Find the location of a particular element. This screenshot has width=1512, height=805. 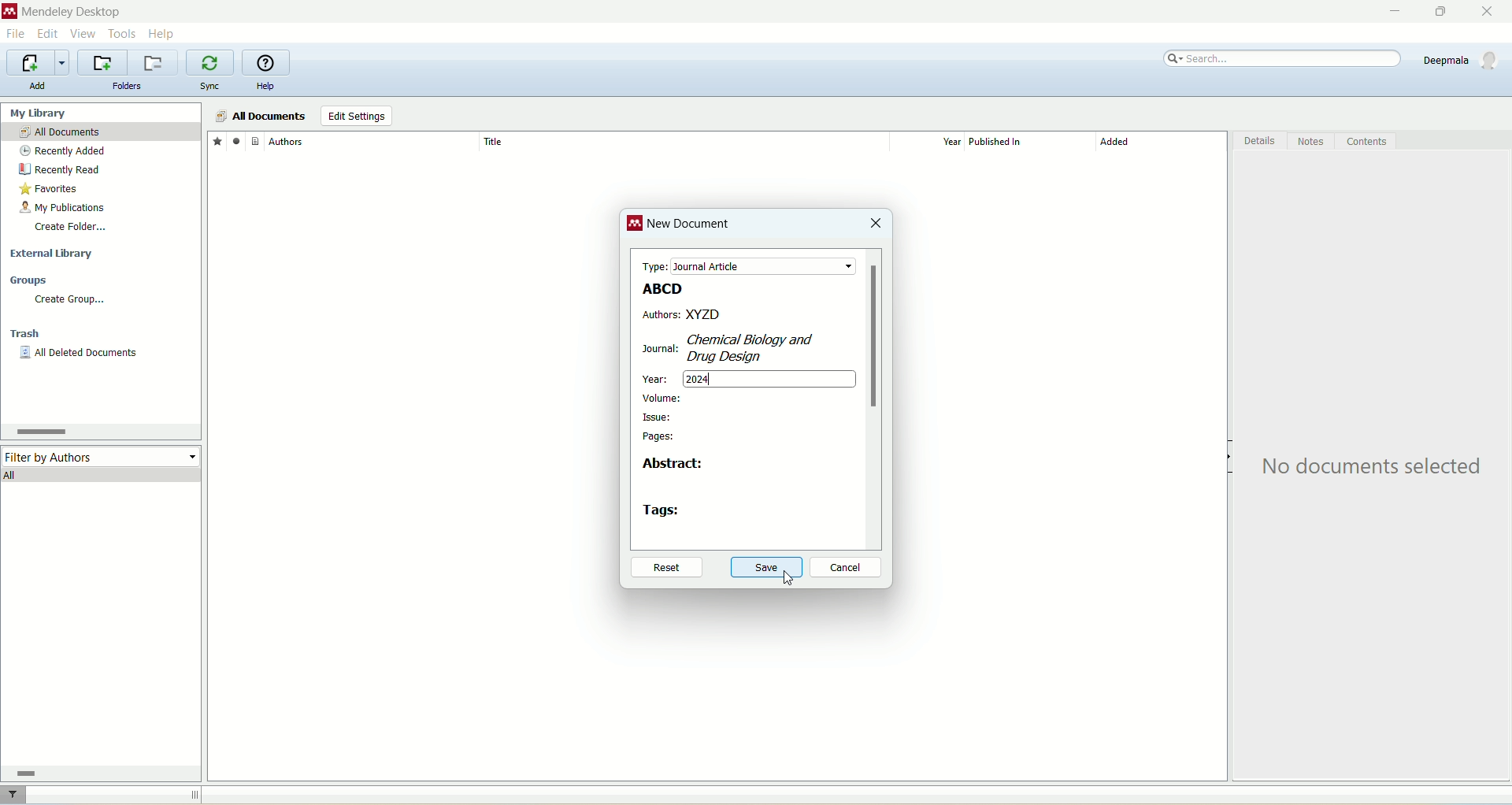

search is located at coordinates (1284, 59).